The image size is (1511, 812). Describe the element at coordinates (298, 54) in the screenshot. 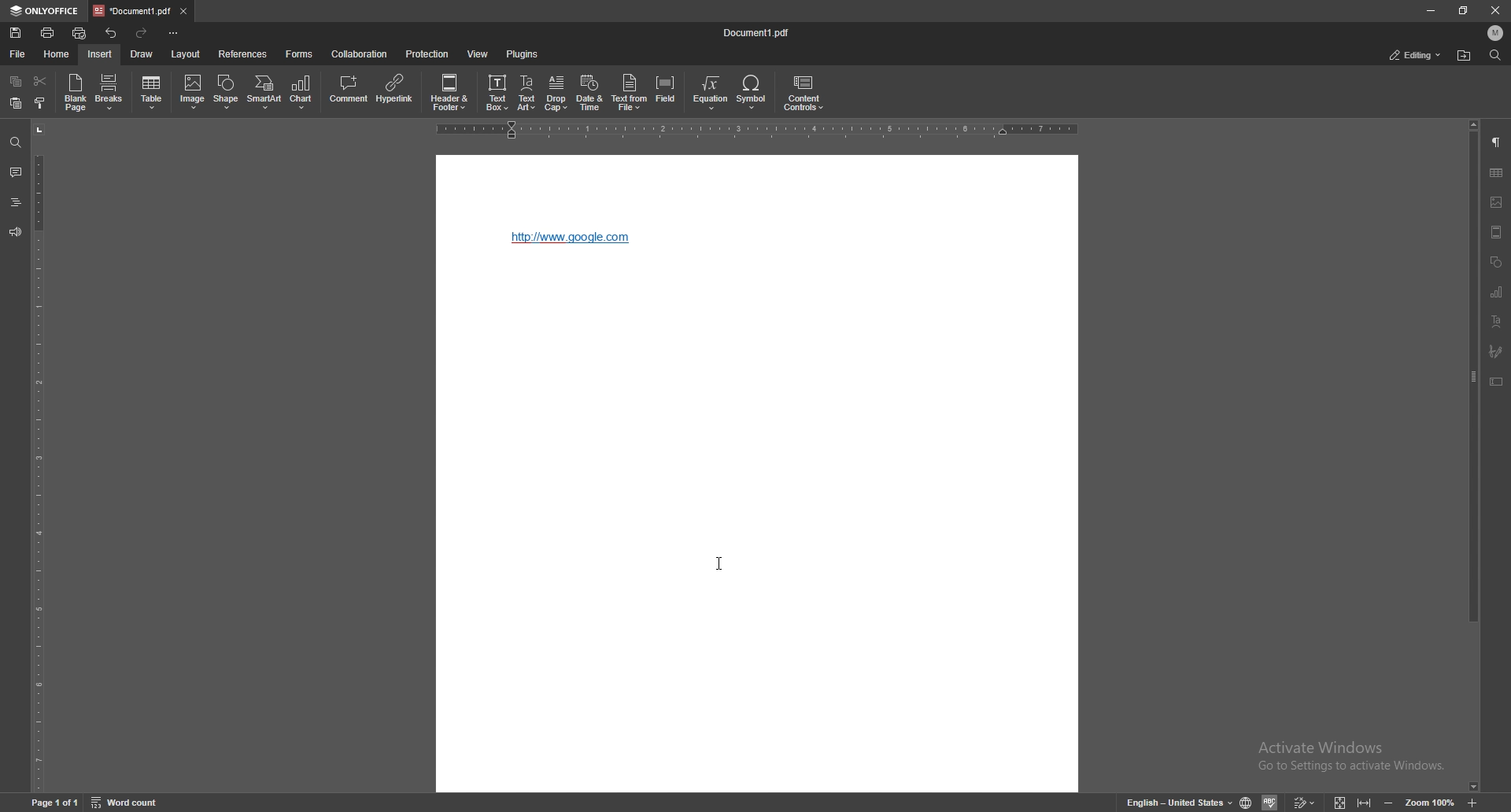

I see `forms` at that location.